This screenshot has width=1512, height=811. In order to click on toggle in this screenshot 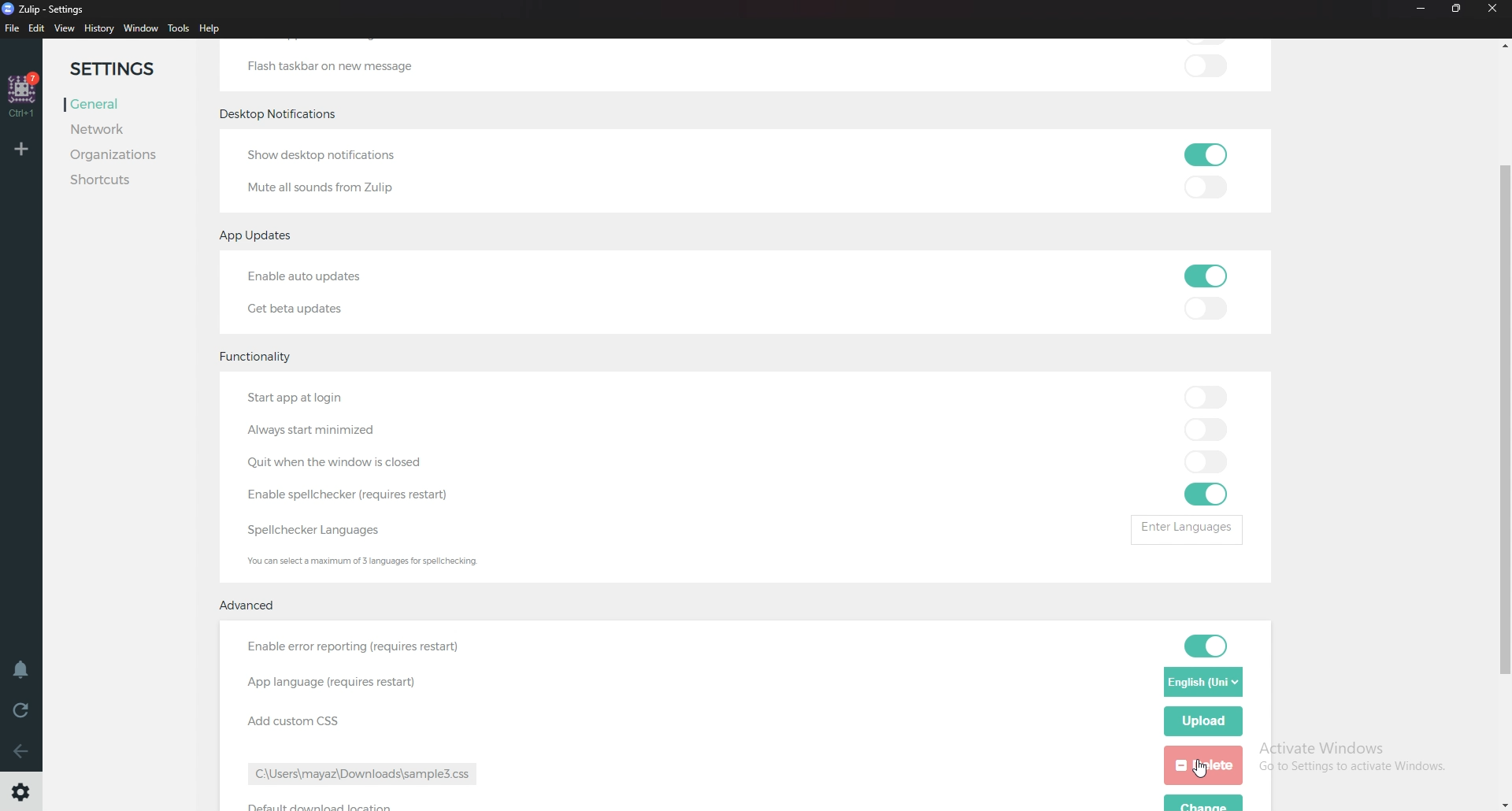, I will do `click(1206, 305)`.